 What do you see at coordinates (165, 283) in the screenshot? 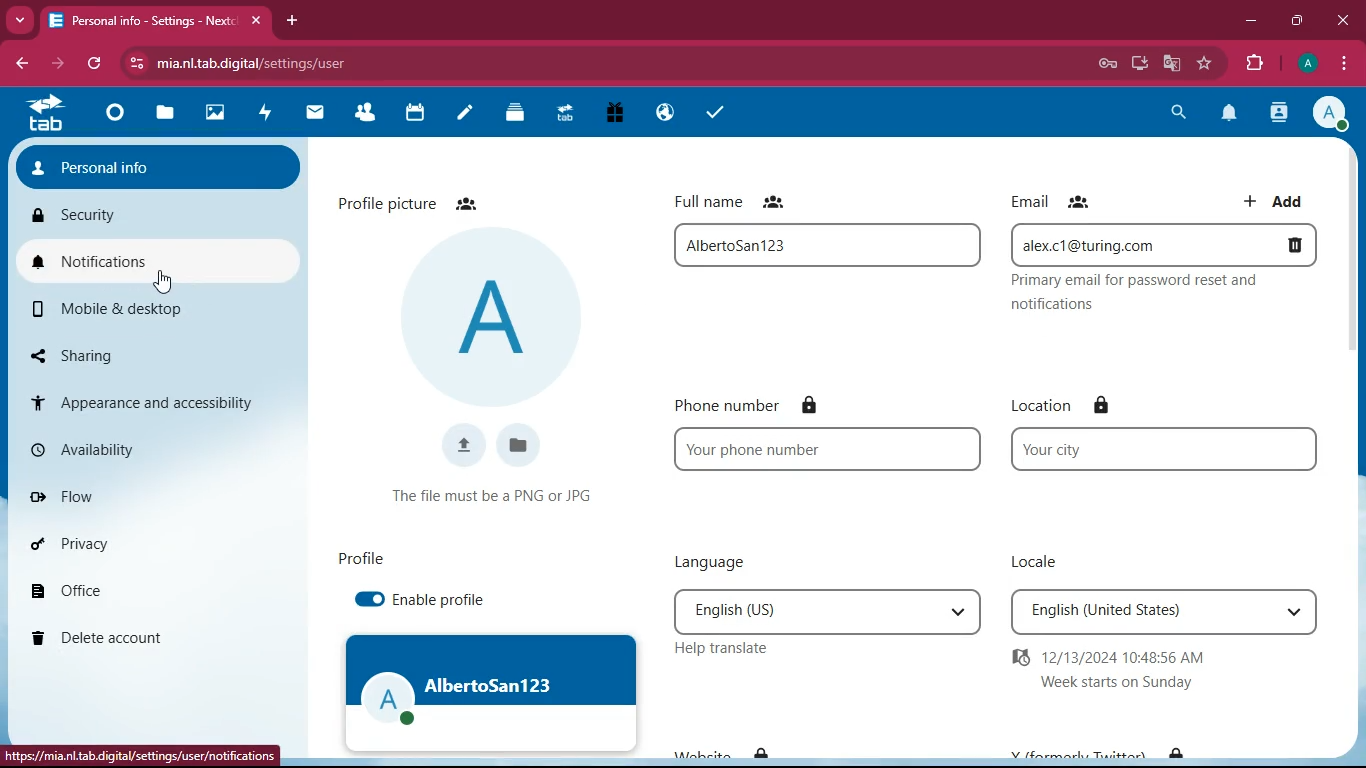
I see `cursor` at bounding box center [165, 283].